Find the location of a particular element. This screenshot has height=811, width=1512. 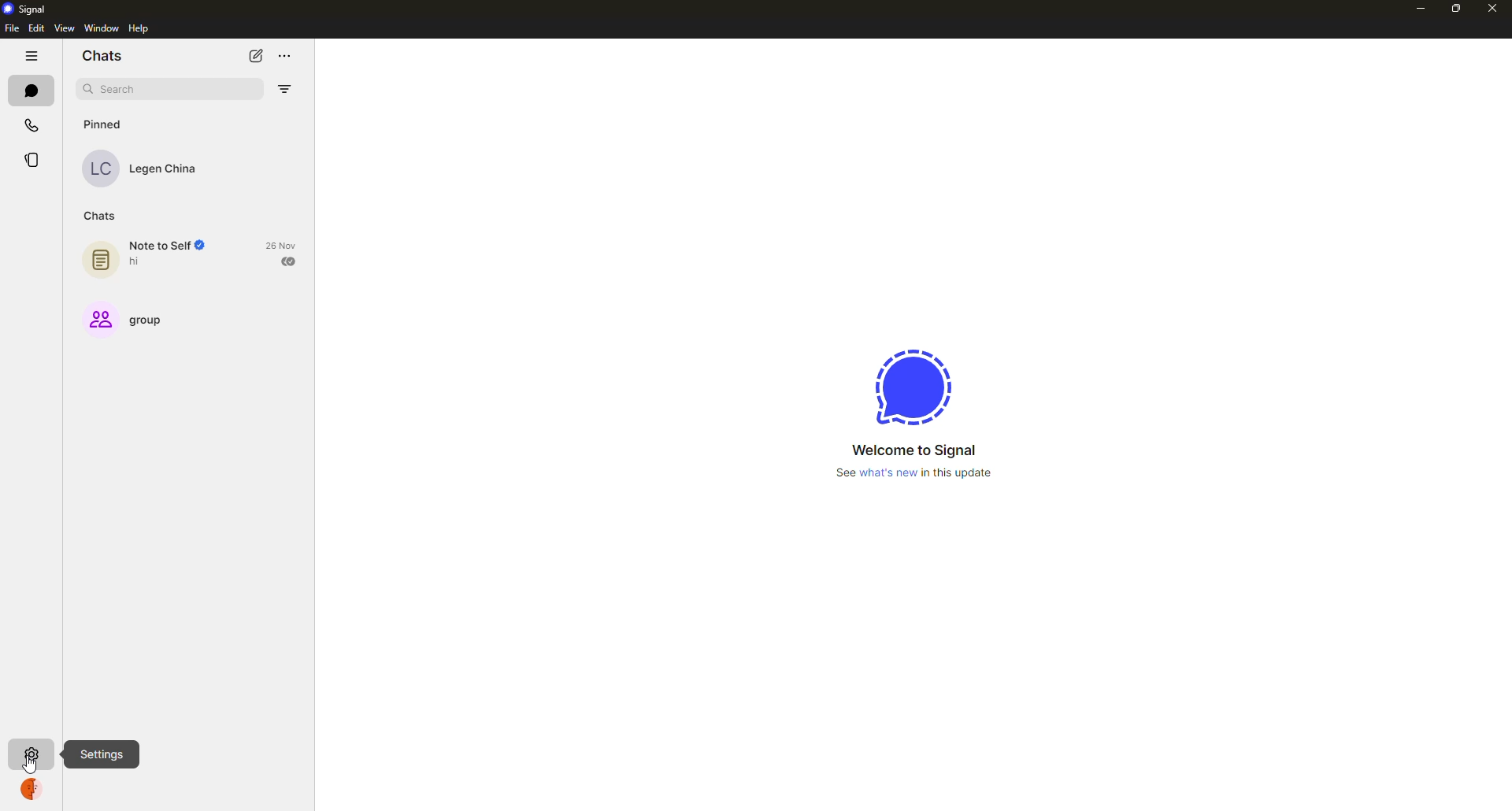

pinned is located at coordinates (106, 124).